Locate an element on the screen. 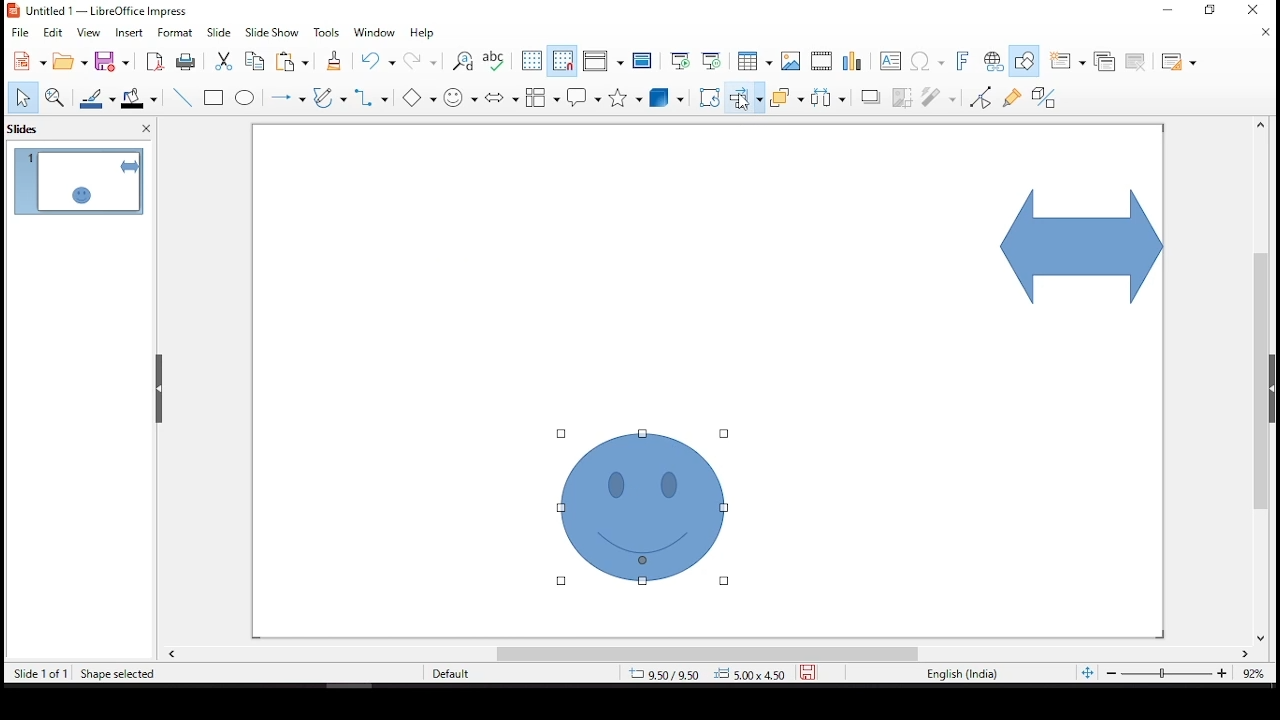  close is located at coordinates (1265, 35).